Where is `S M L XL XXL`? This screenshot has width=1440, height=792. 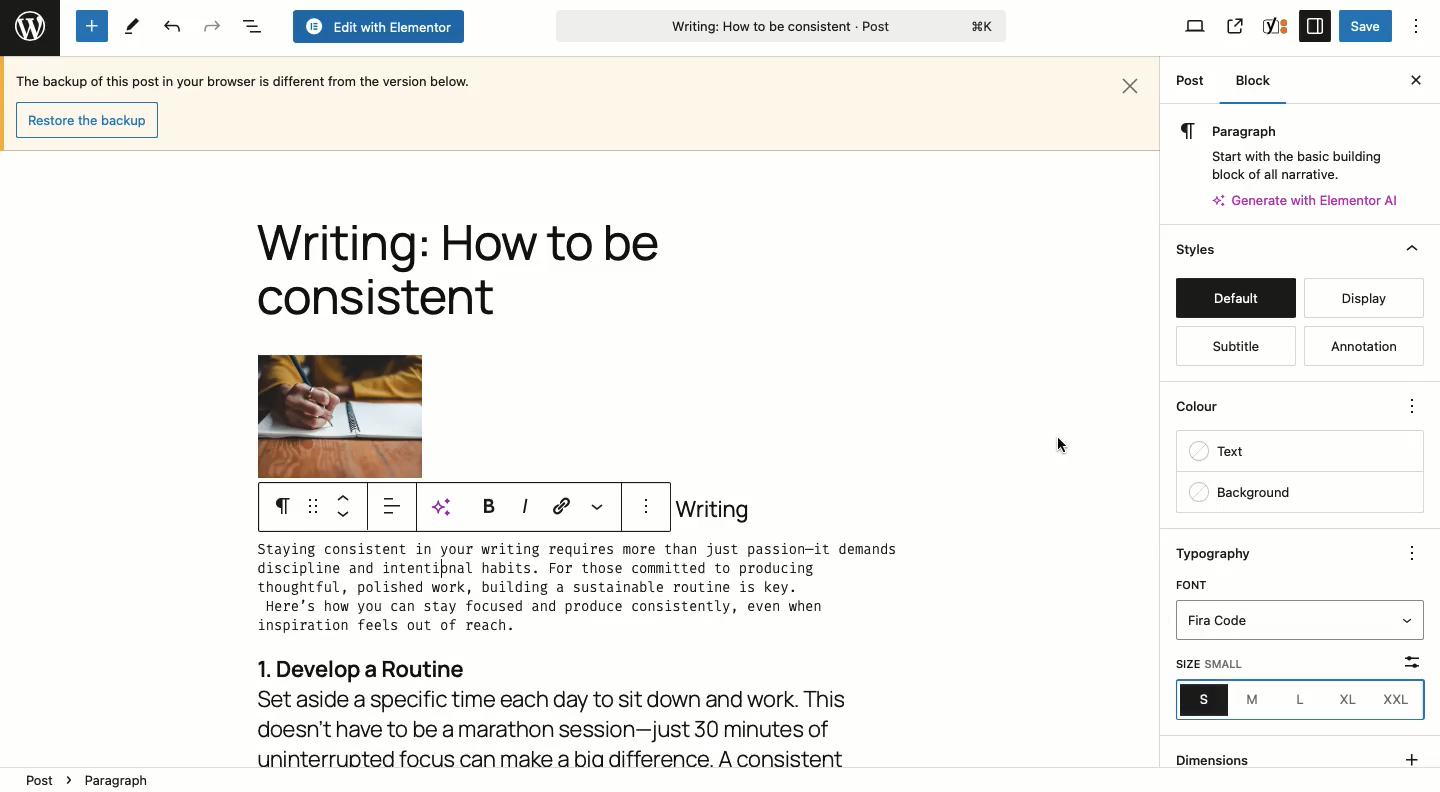
S M L XL XXL is located at coordinates (1296, 701).